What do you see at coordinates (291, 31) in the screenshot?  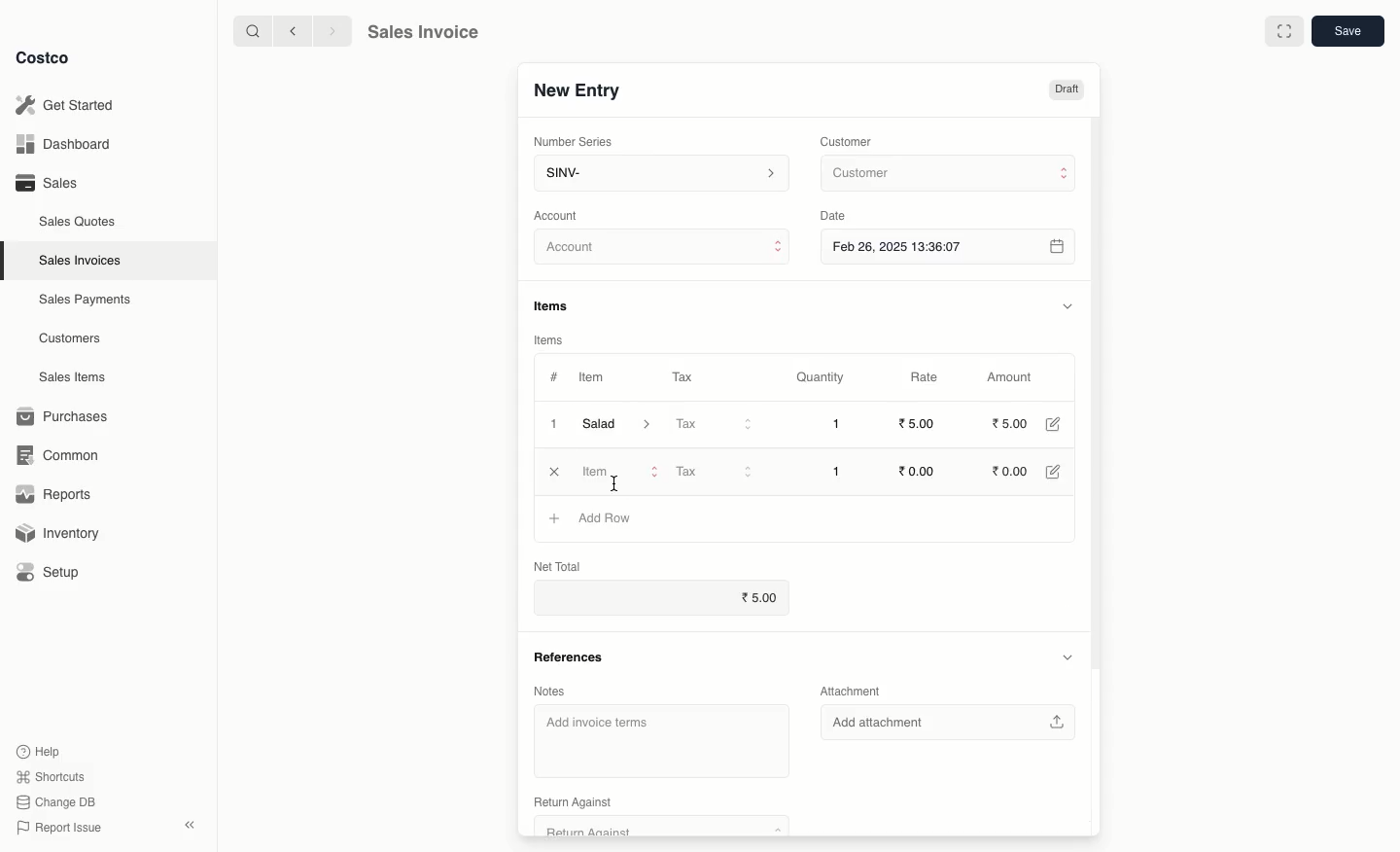 I see `Back` at bounding box center [291, 31].